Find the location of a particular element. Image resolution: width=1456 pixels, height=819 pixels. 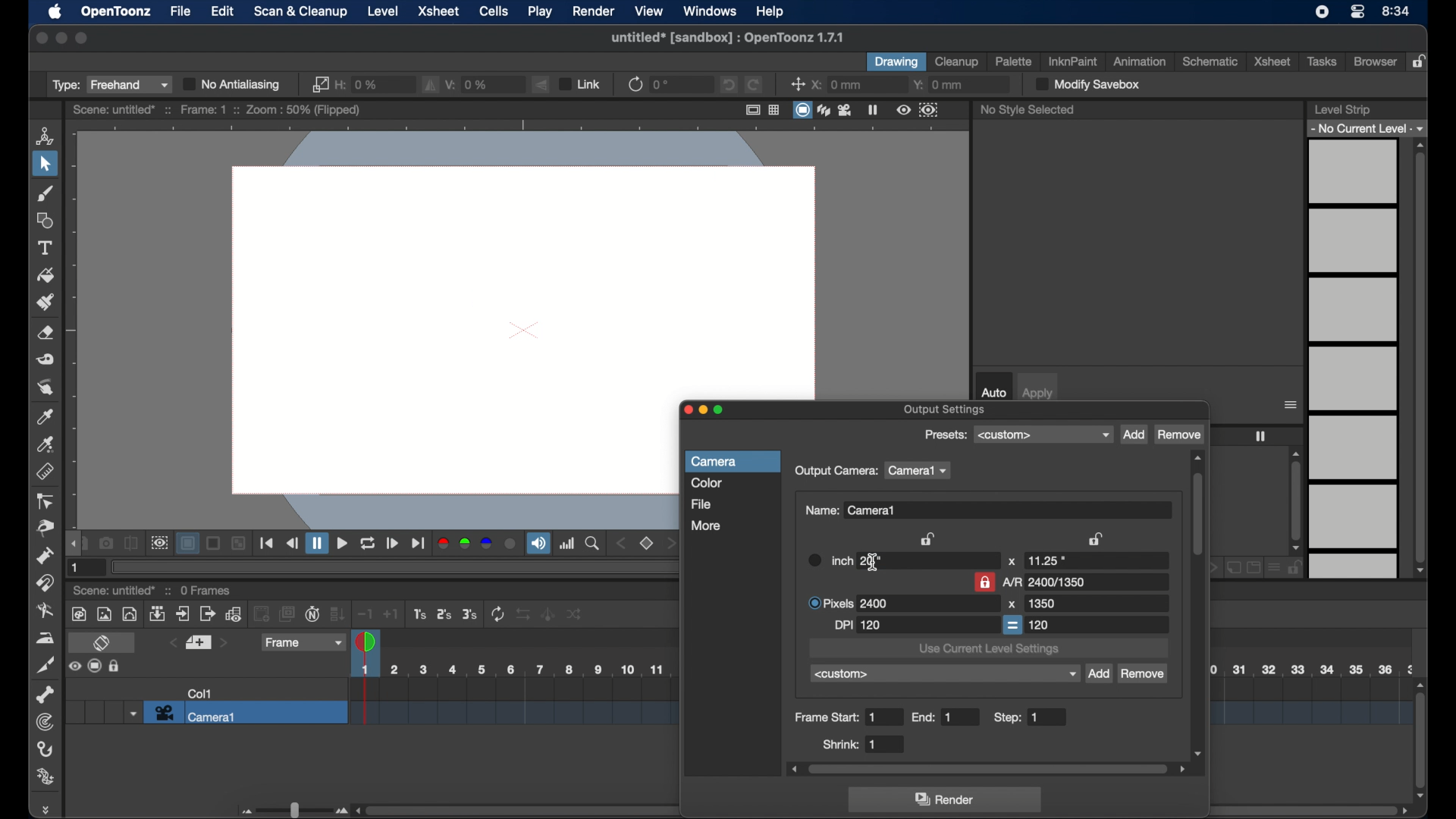

 is located at coordinates (365, 613).